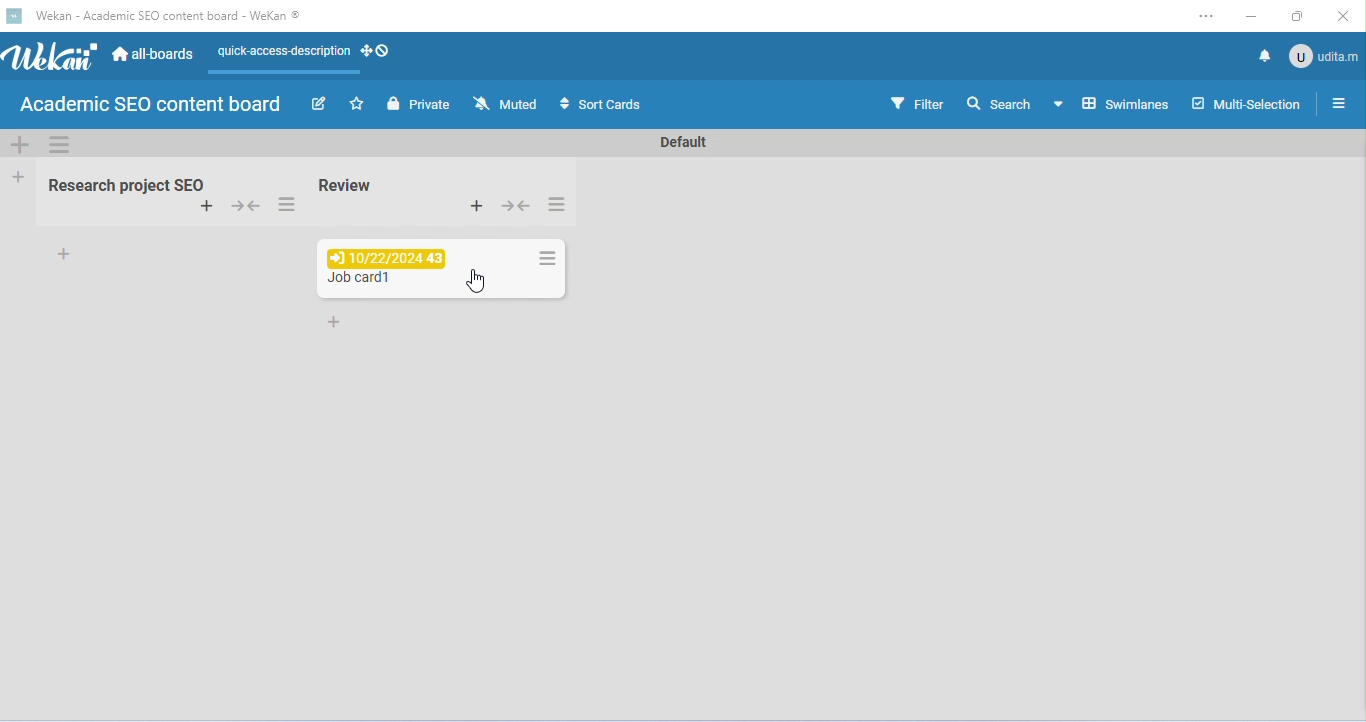 The height and width of the screenshot is (722, 1366). What do you see at coordinates (1110, 103) in the screenshot?
I see `board view` at bounding box center [1110, 103].